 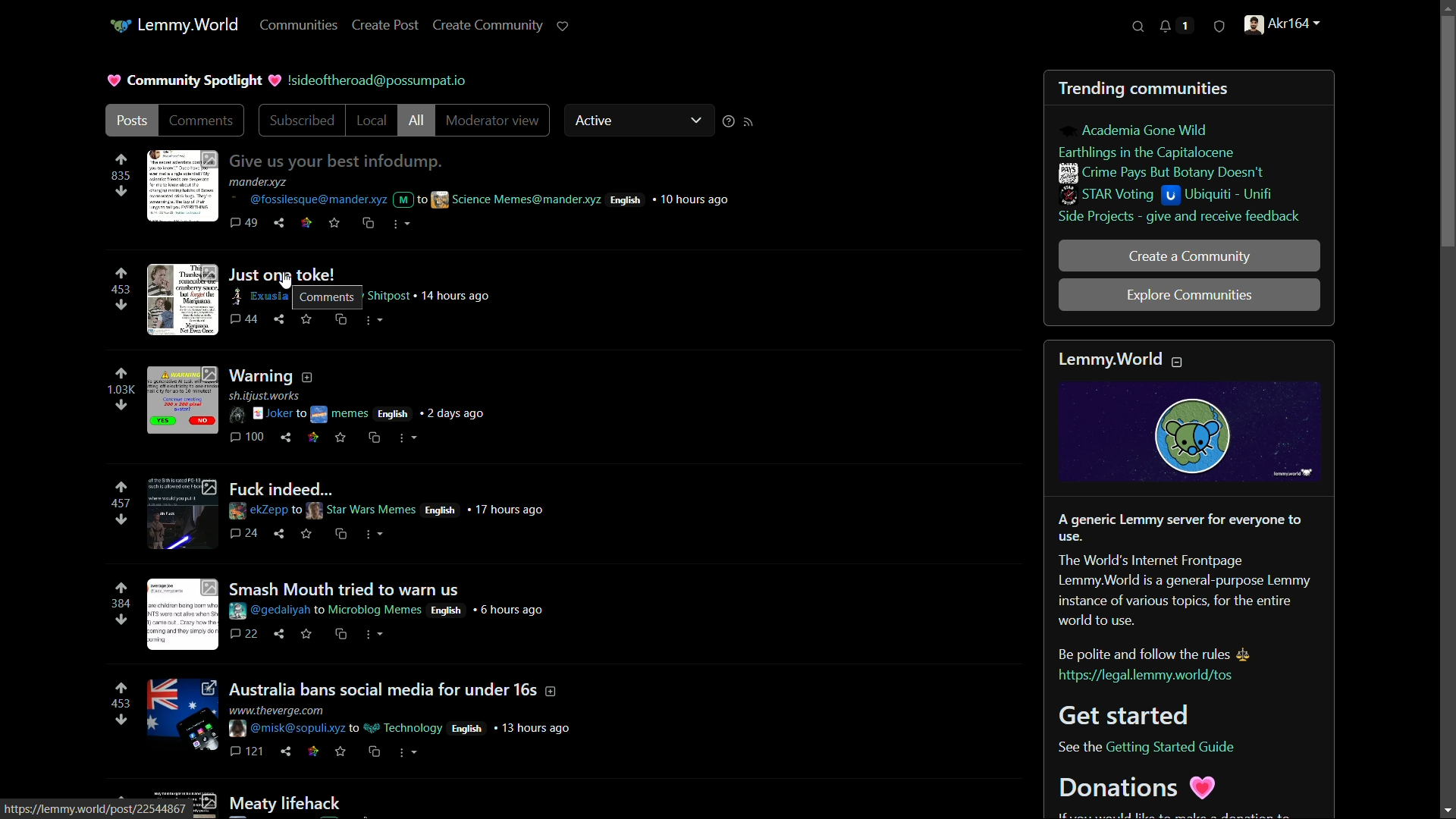 What do you see at coordinates (306, 377) in the screenshot?
I see `Description` at bounding box center [306, 377].